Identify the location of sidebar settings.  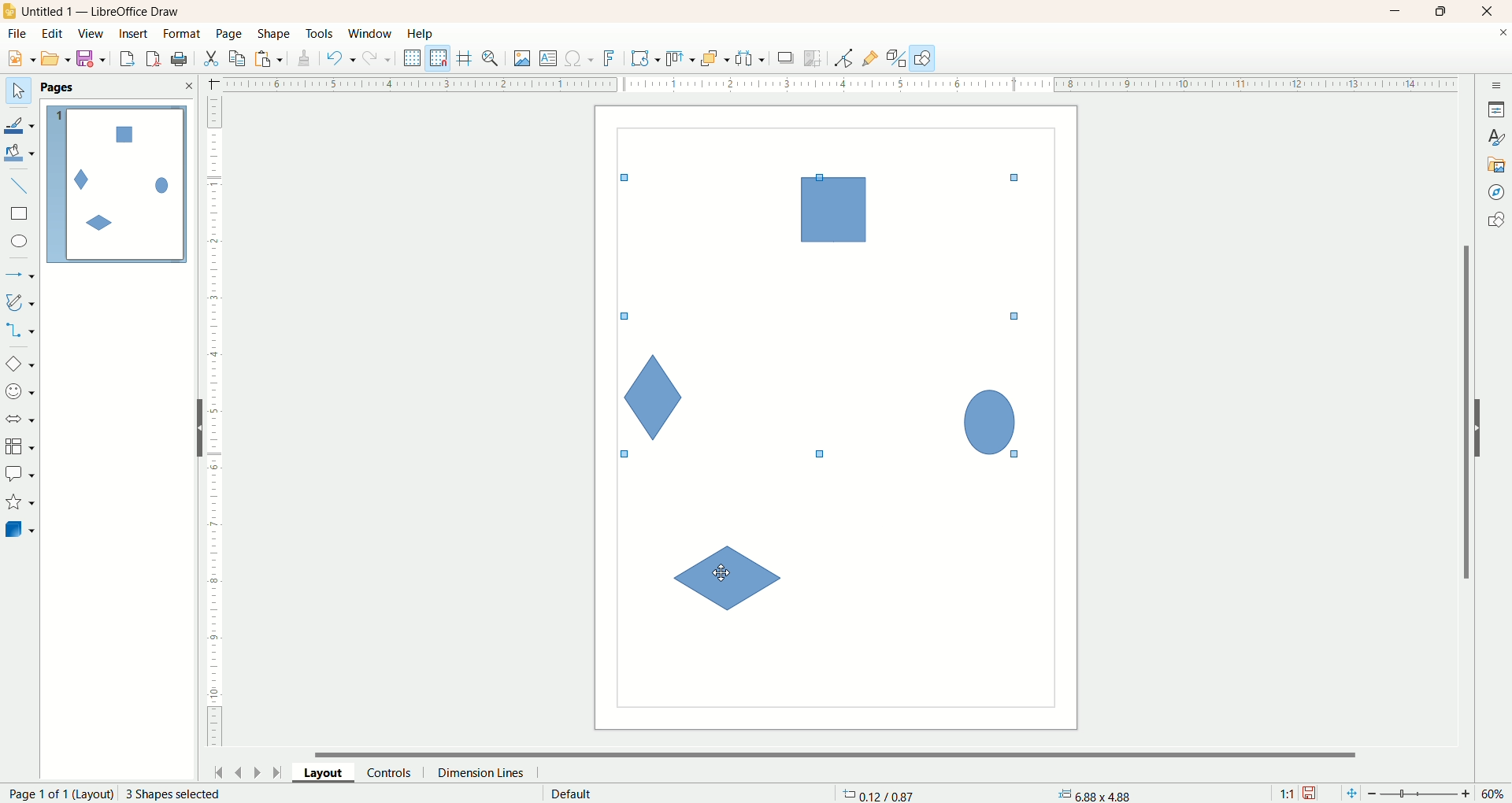
(1497, 83).